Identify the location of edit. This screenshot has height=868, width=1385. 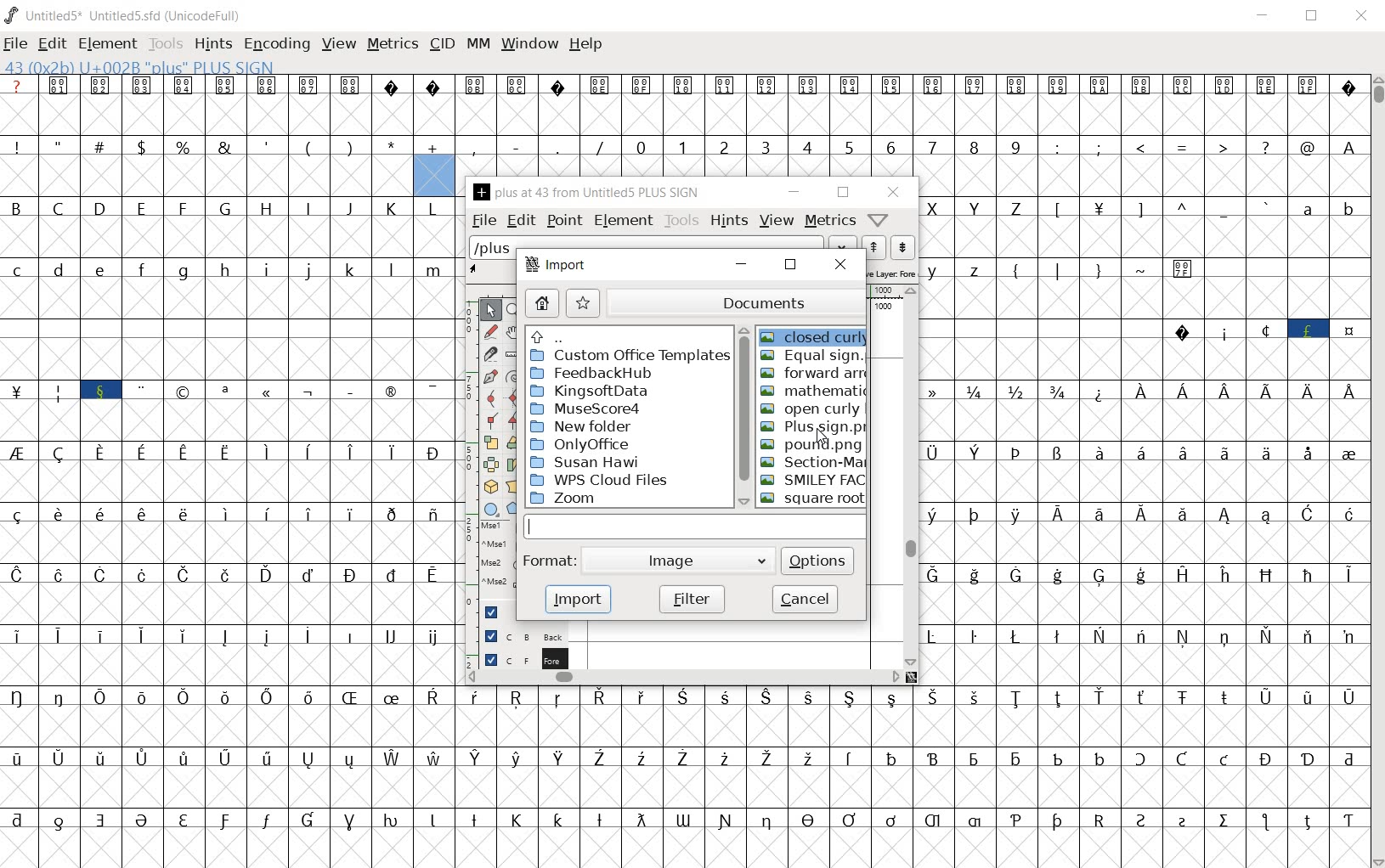
(51, 42).